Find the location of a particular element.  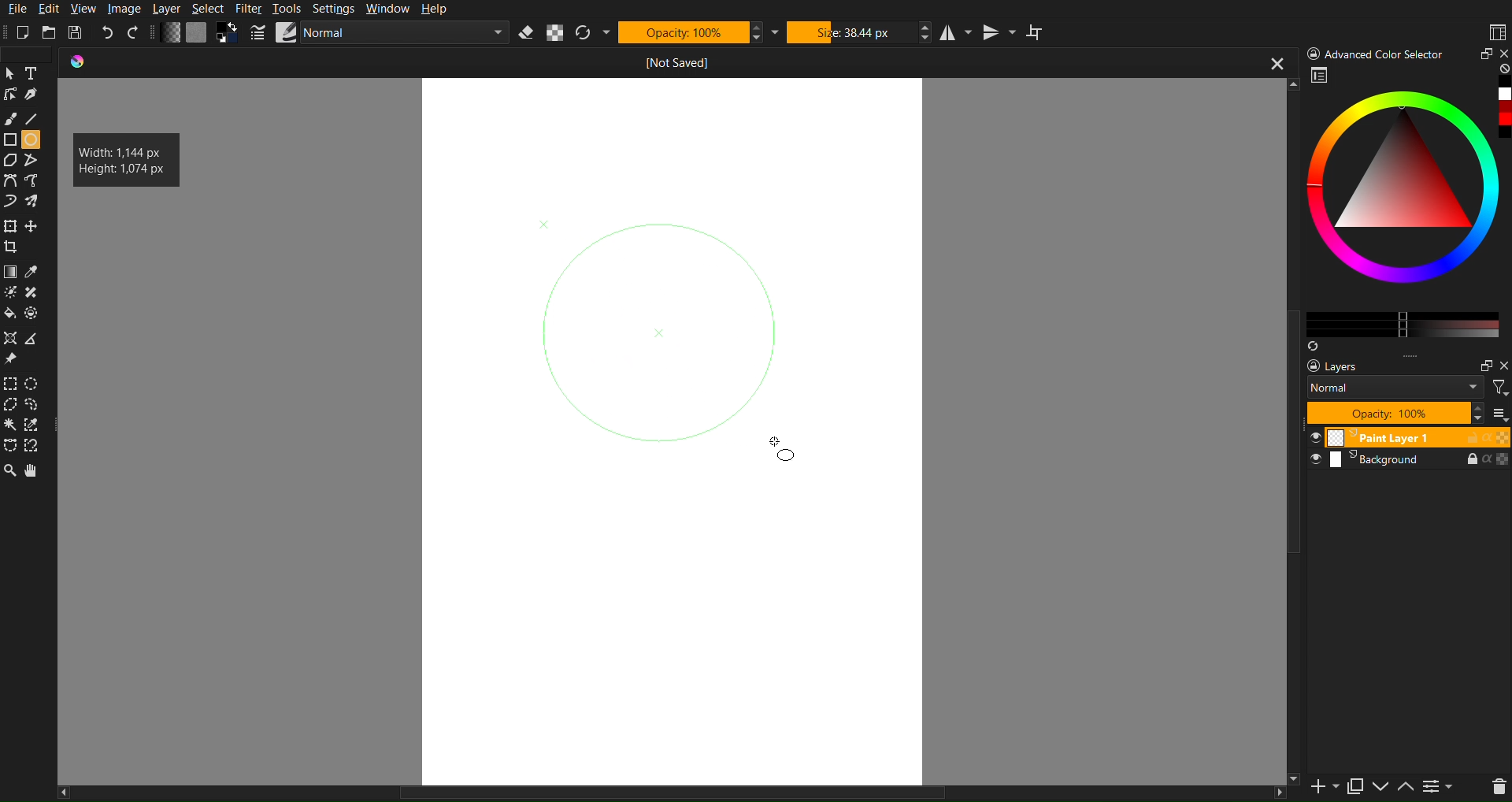

Current Document is located at coordinates (605, 66).